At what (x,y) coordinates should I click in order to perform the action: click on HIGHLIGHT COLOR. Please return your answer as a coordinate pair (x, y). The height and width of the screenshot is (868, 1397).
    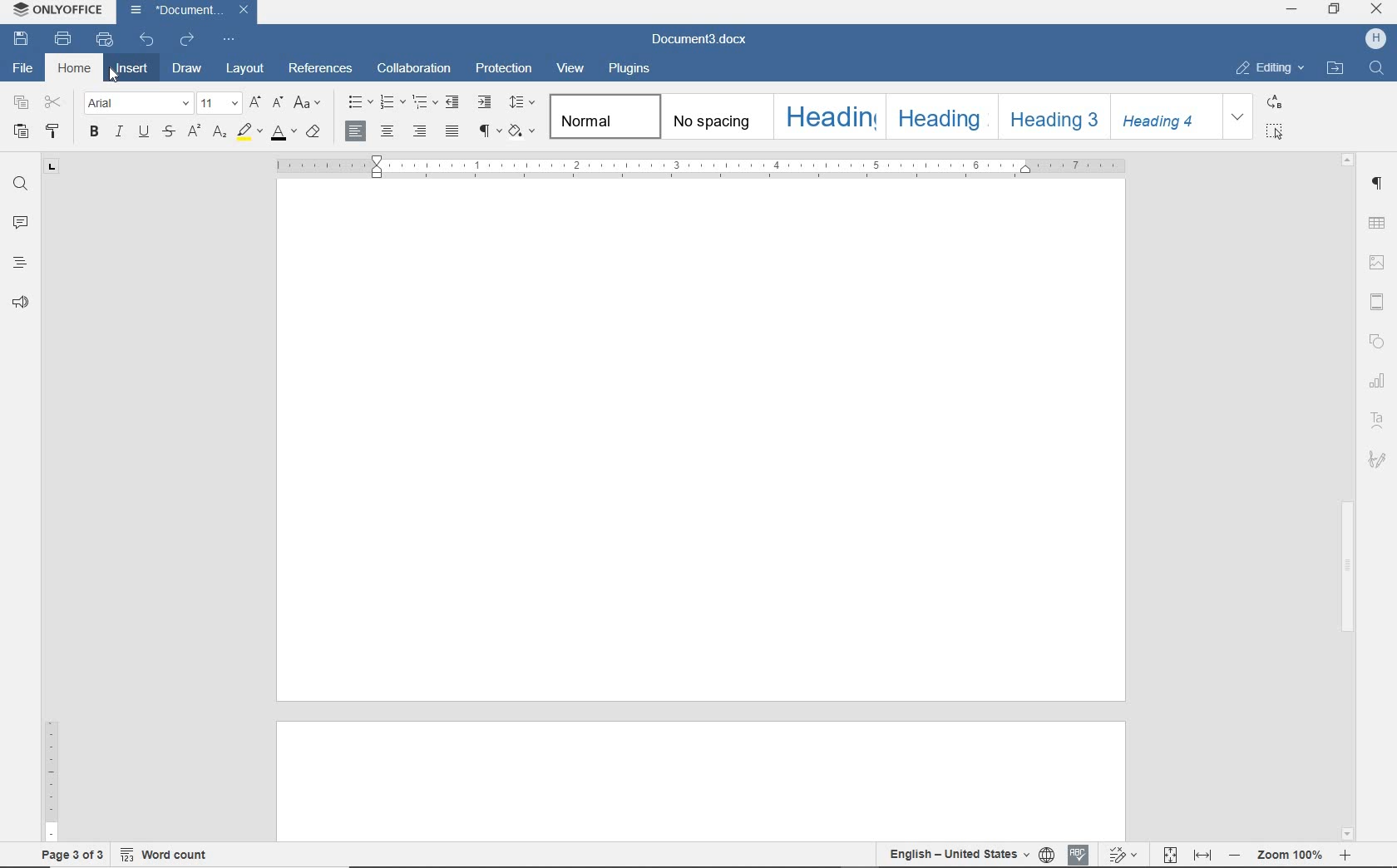
    Looking at the image, I should click on (248, 131).